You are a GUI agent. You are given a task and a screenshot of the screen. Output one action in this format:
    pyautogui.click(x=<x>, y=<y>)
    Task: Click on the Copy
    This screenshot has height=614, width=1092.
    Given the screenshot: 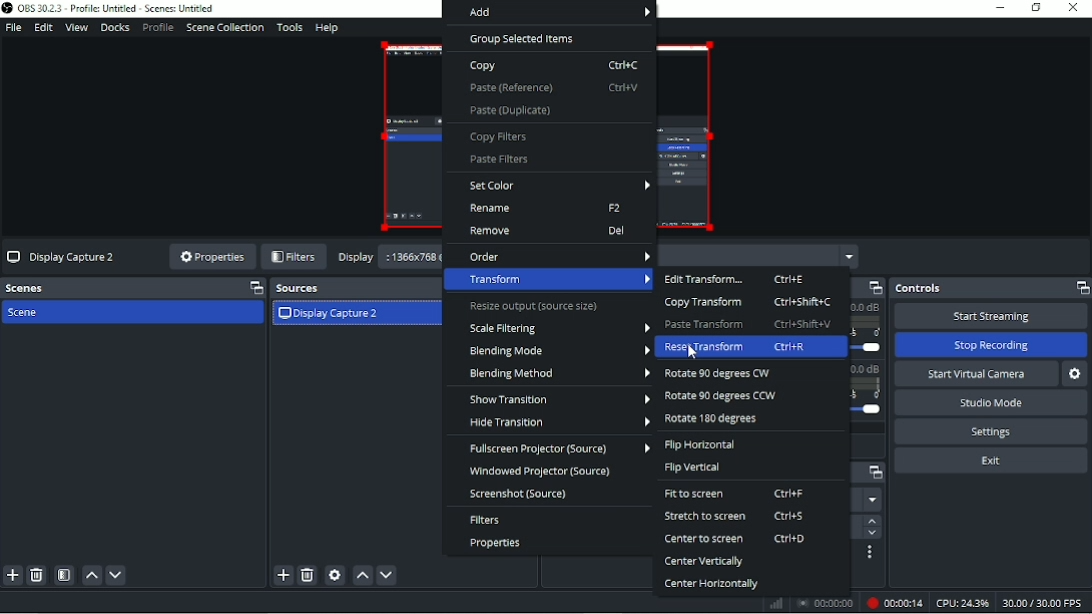 What is the action you would take?
    pyautogui.click(x=554, y=66)
    